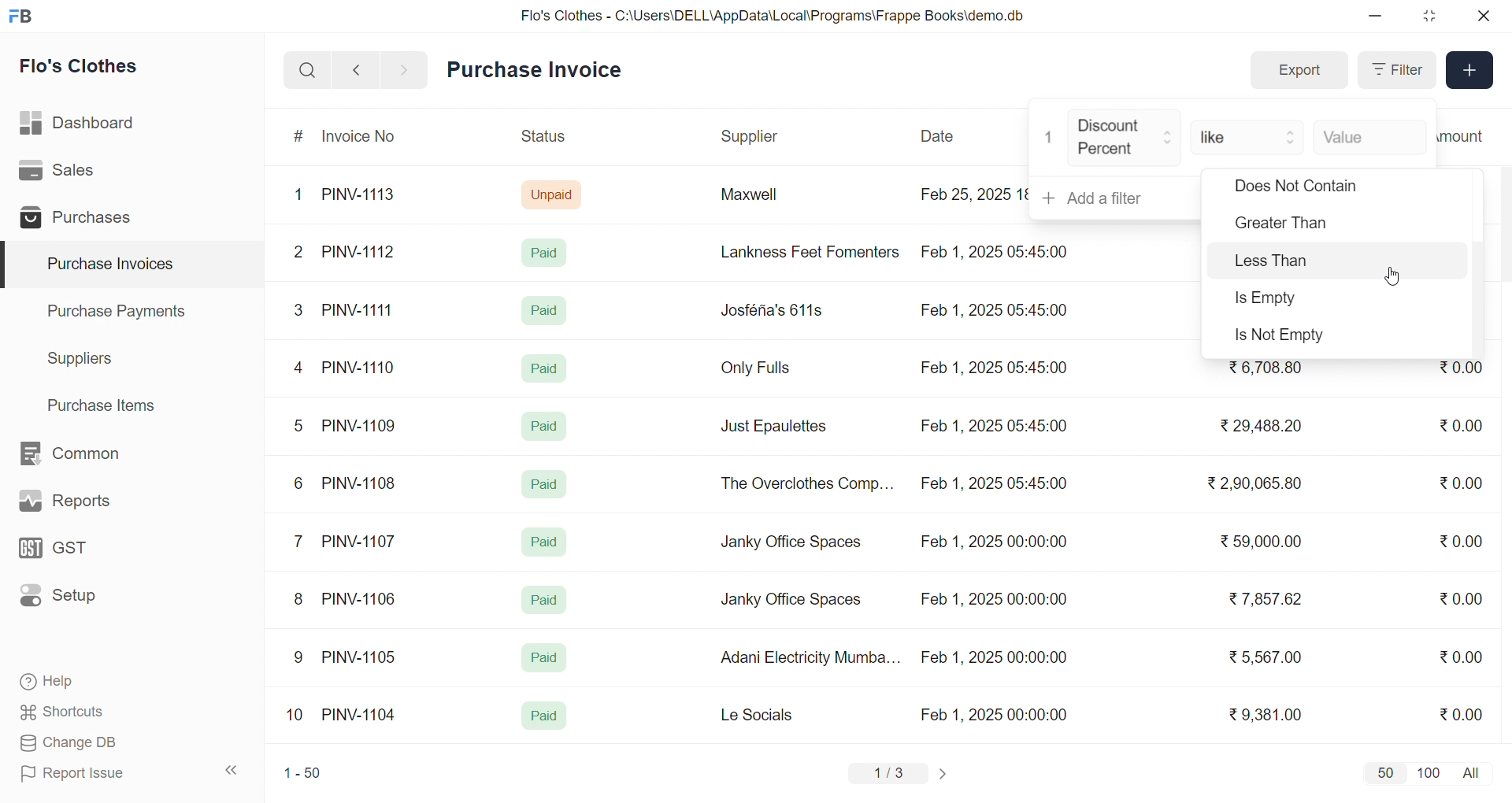 The width and height of the screenshot is (1512, 803). What do you see at coordinates (90, 68) in the screenshot?
I see `Flo's Clothes` at bounding box center [90, 68].